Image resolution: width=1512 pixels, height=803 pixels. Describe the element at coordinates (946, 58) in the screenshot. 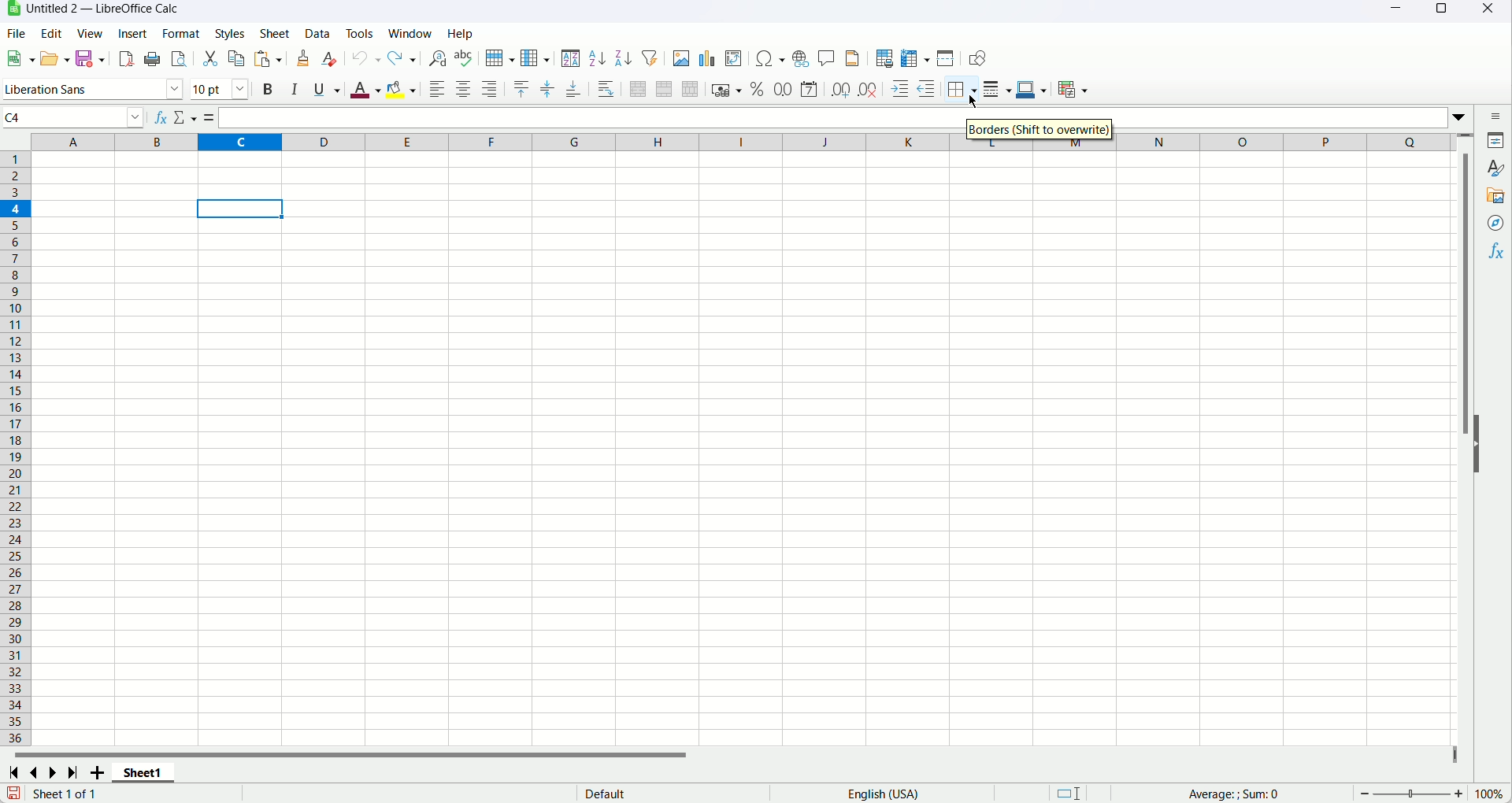

I see `Split window` at that location.